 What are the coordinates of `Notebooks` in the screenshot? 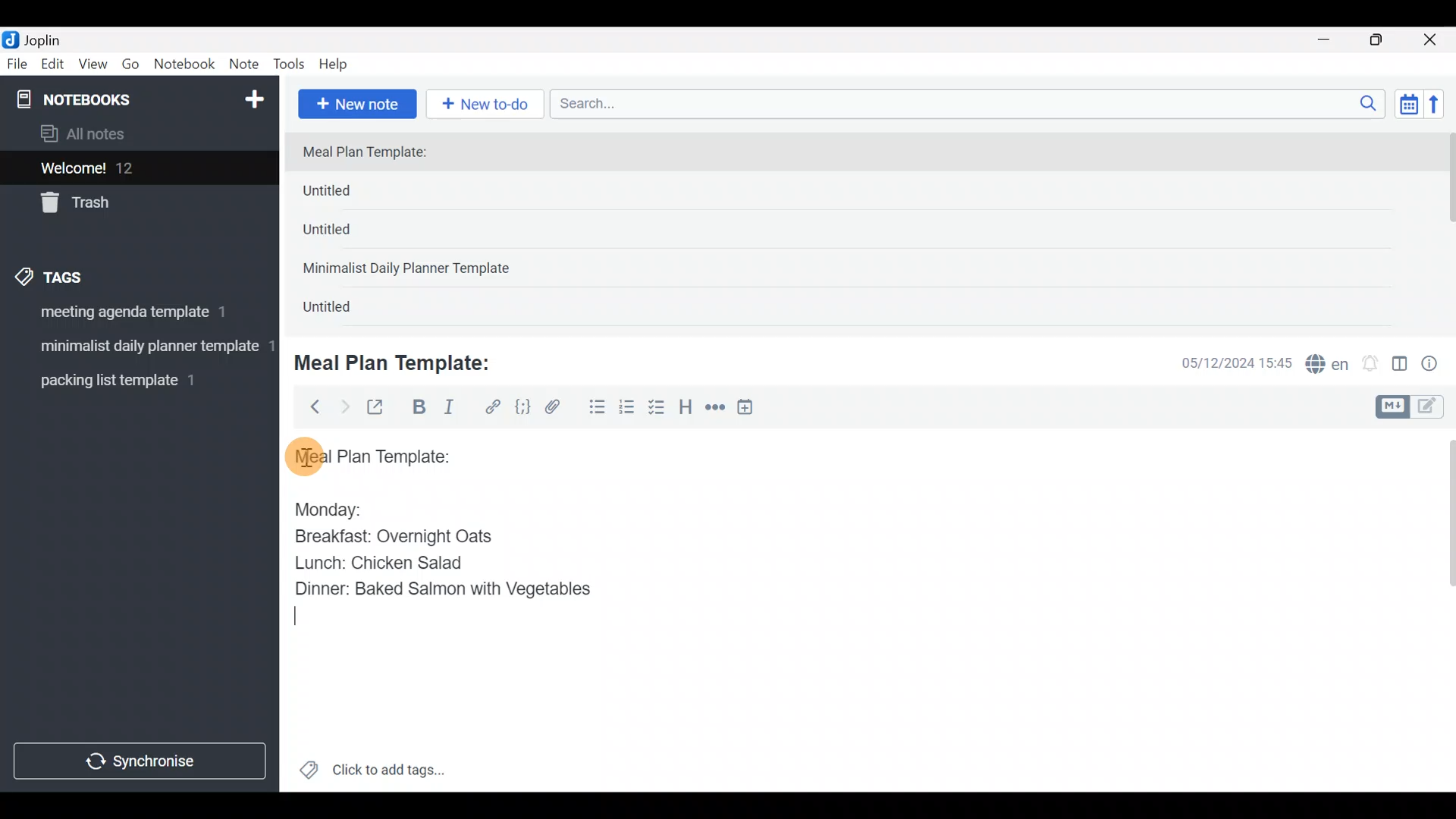 It's located at (107, 99).